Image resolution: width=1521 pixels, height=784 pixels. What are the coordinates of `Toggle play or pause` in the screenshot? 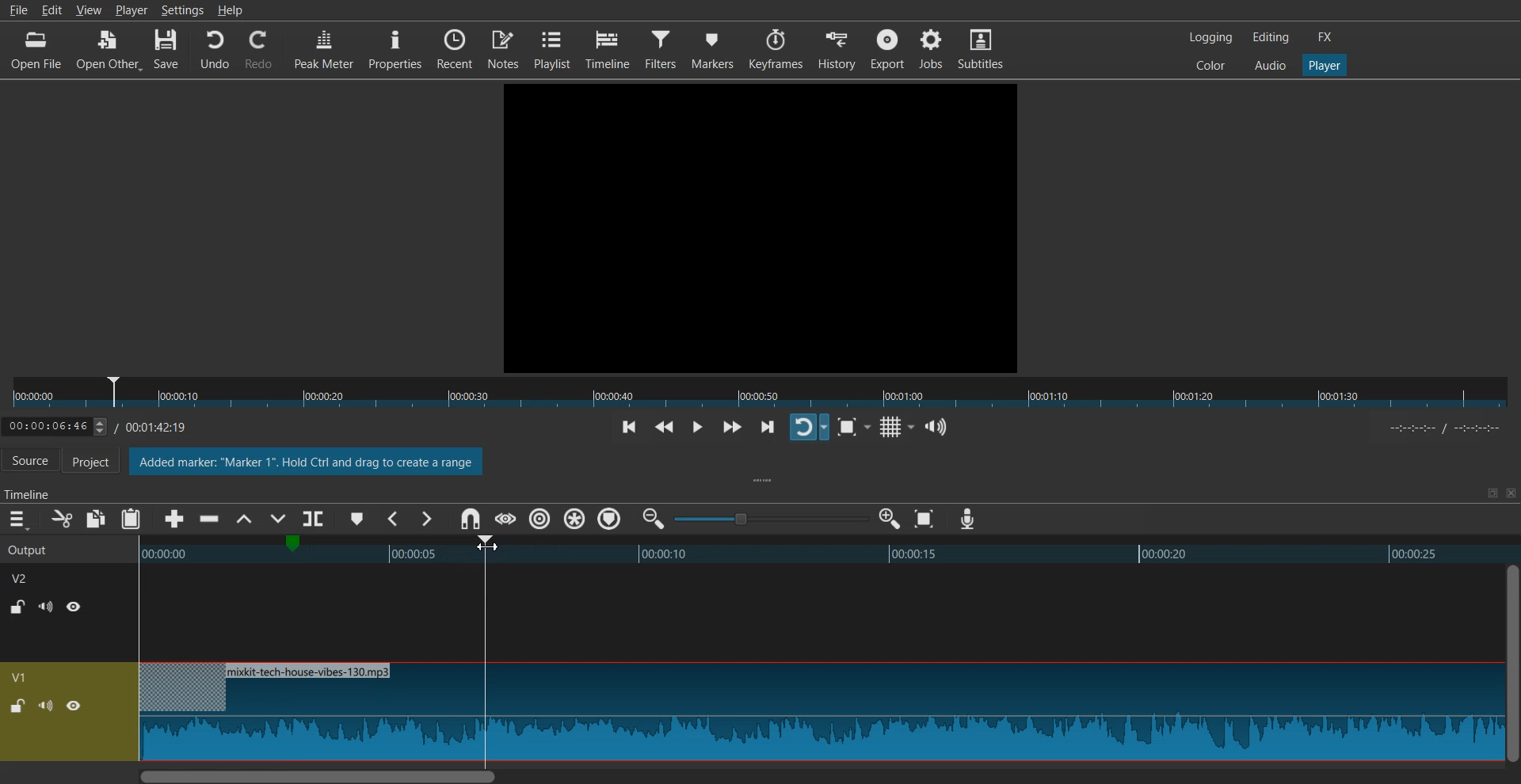 It's located at (696, 428).